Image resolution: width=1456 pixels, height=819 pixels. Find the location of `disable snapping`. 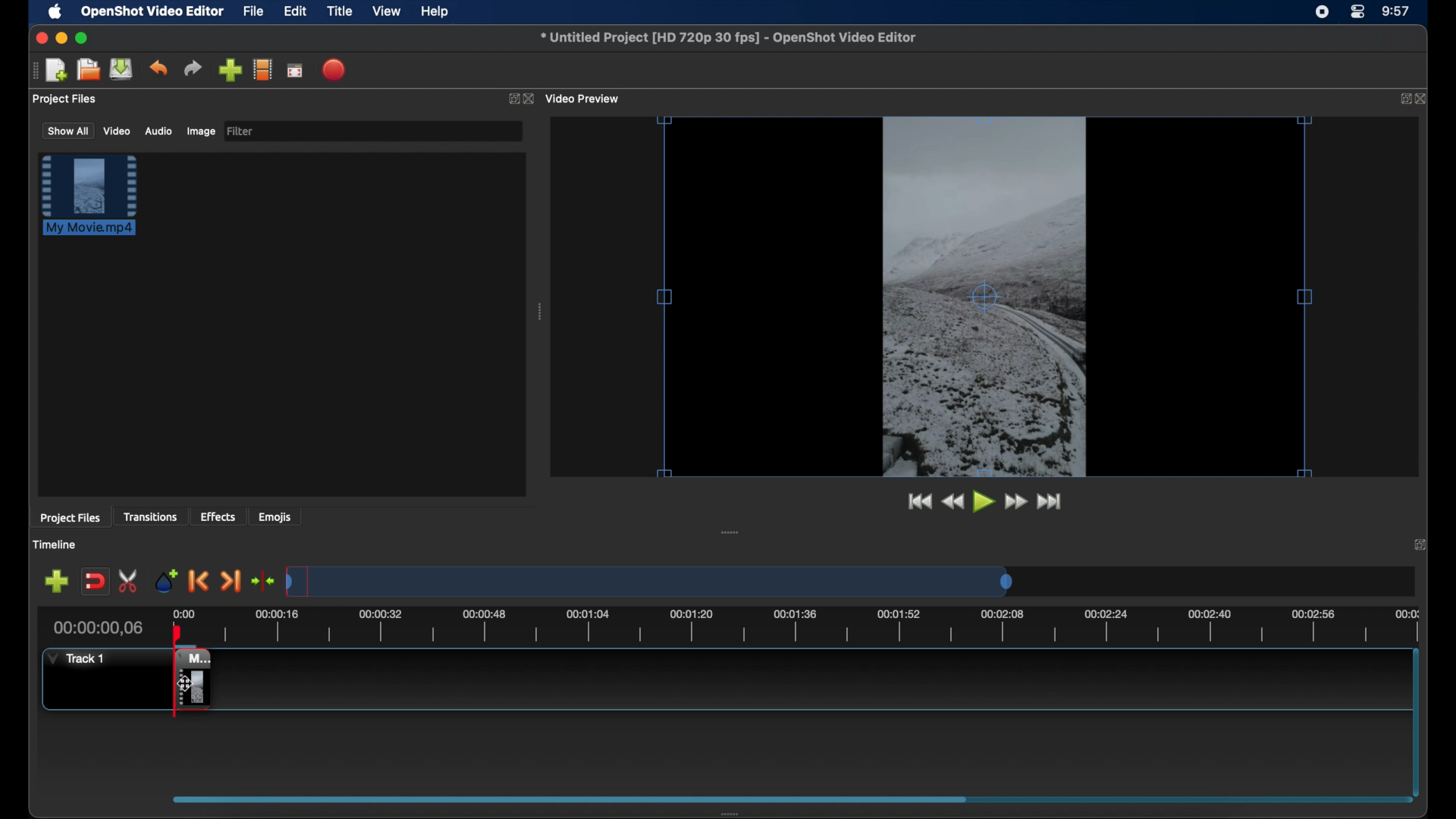

disable snapping is located at coordinates (95, 582).